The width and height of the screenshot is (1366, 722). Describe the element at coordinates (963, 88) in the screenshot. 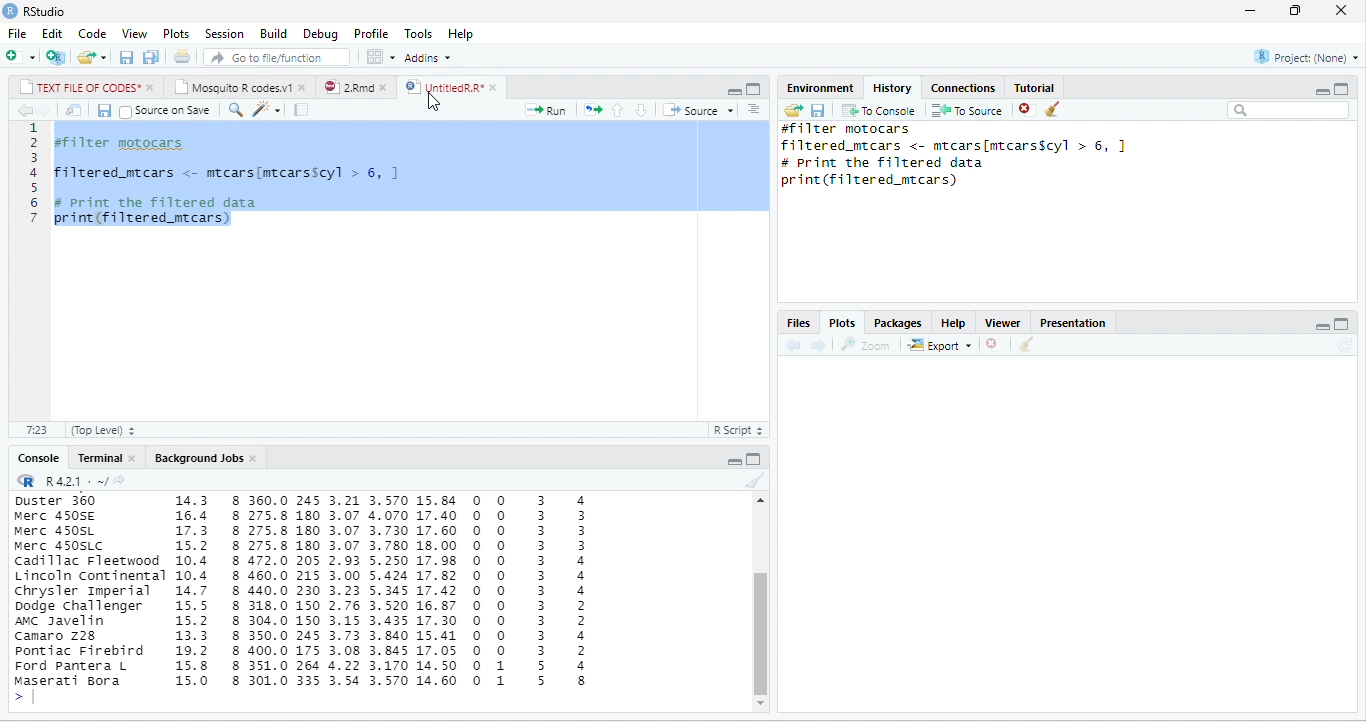

I see `Connections` at that location.